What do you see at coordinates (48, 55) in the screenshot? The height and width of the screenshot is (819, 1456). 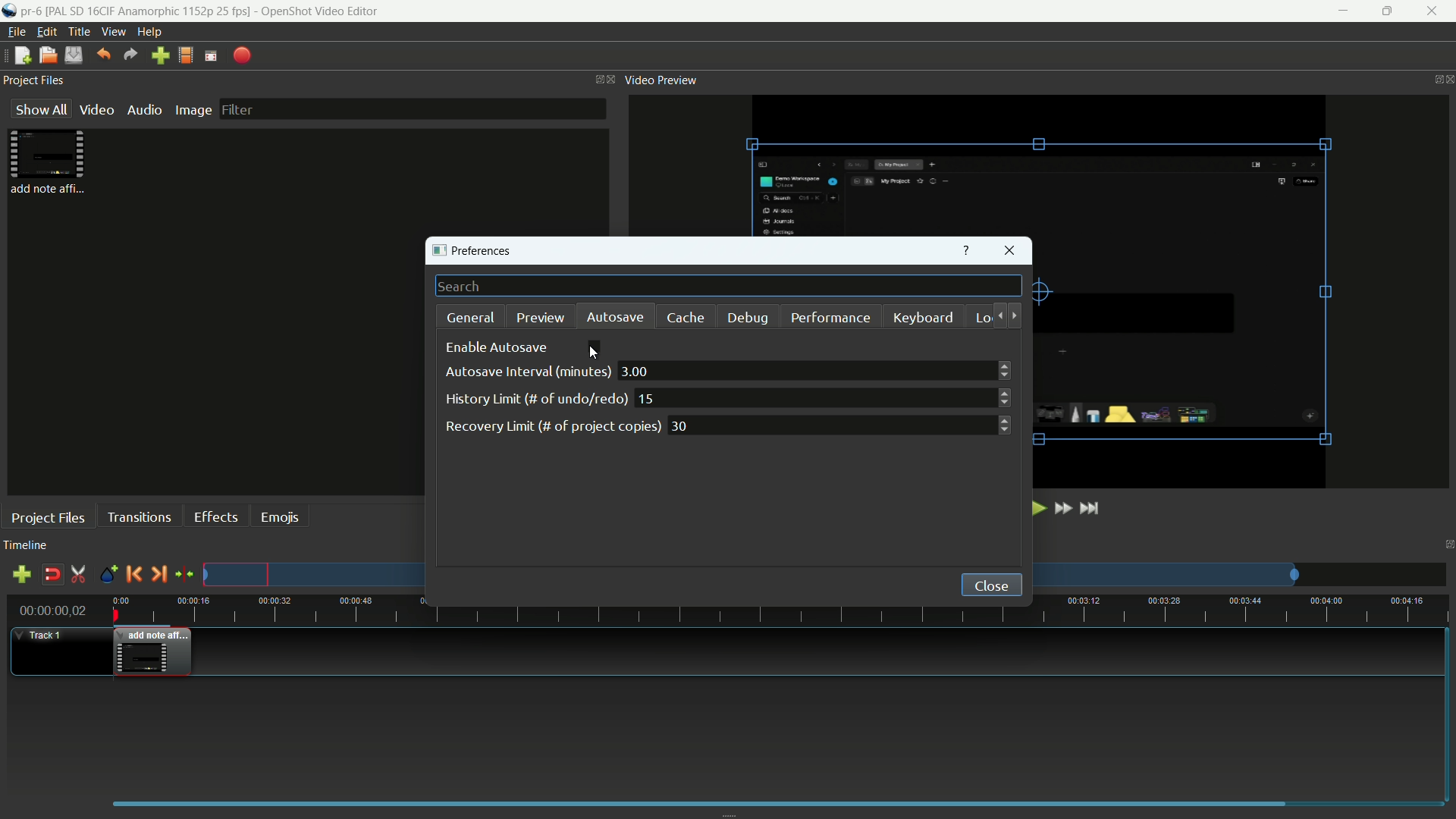 I see `open file` at bounding box center [48, 55].